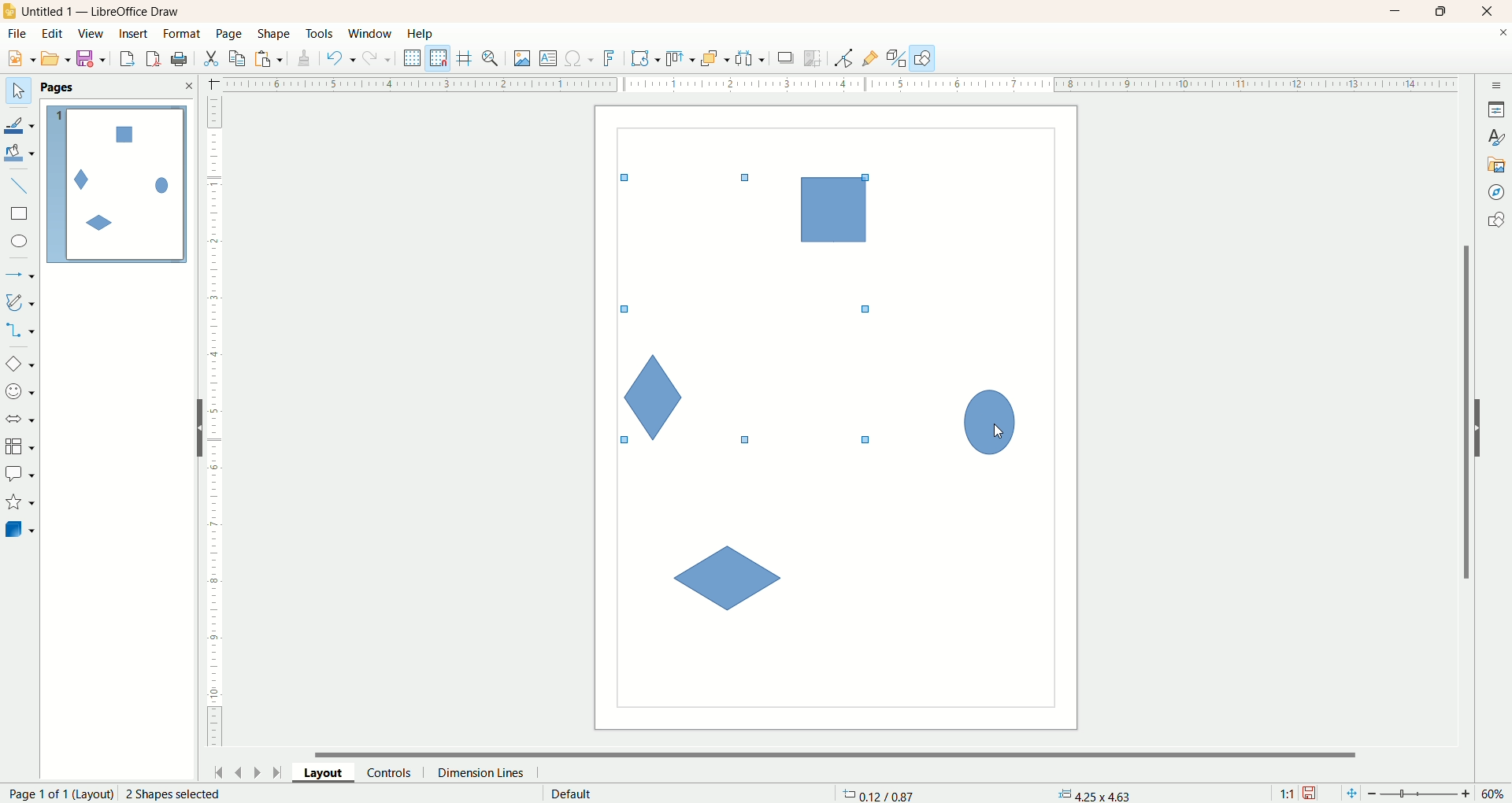 The height and width of the screenshot is (803, 1512). Describe the element at coordinates (183, 35) in the screenshot. I see `format` at that location.